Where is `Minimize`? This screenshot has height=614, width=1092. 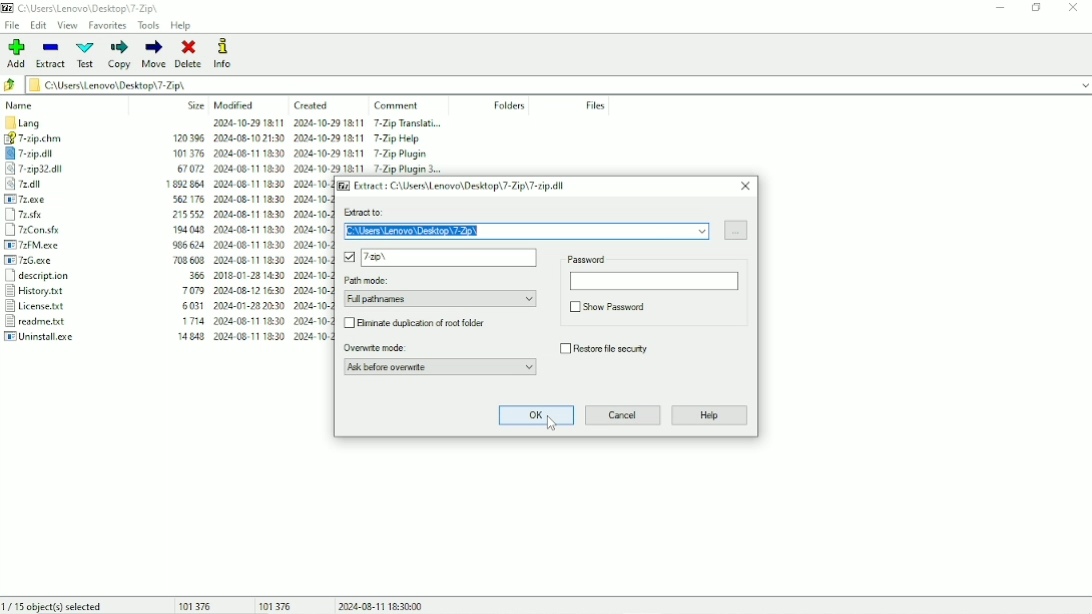
Minimize is located at coordinates (1000, 7).